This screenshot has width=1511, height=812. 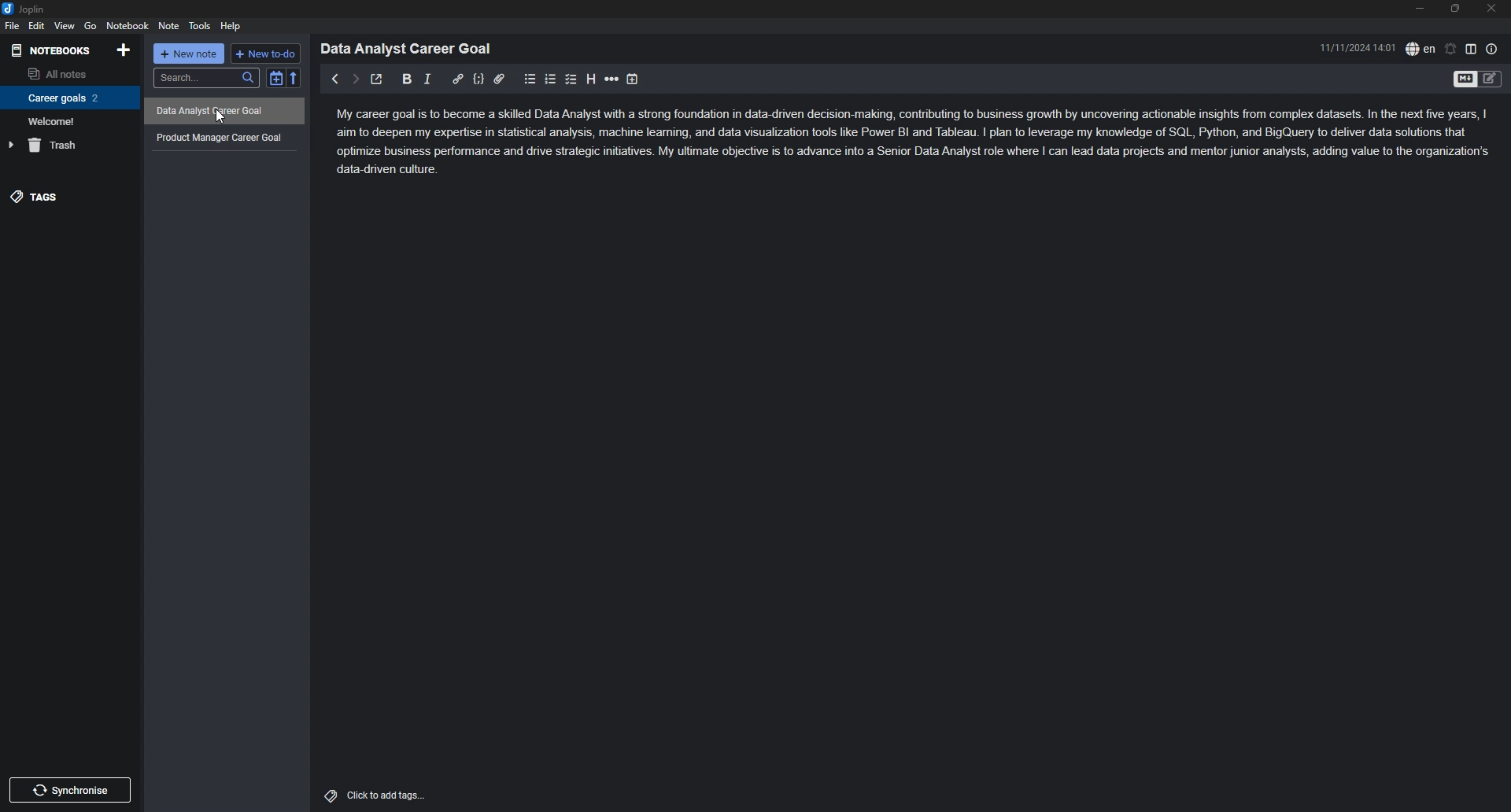 I want to click on Cursor, so click(x=220, y=118).